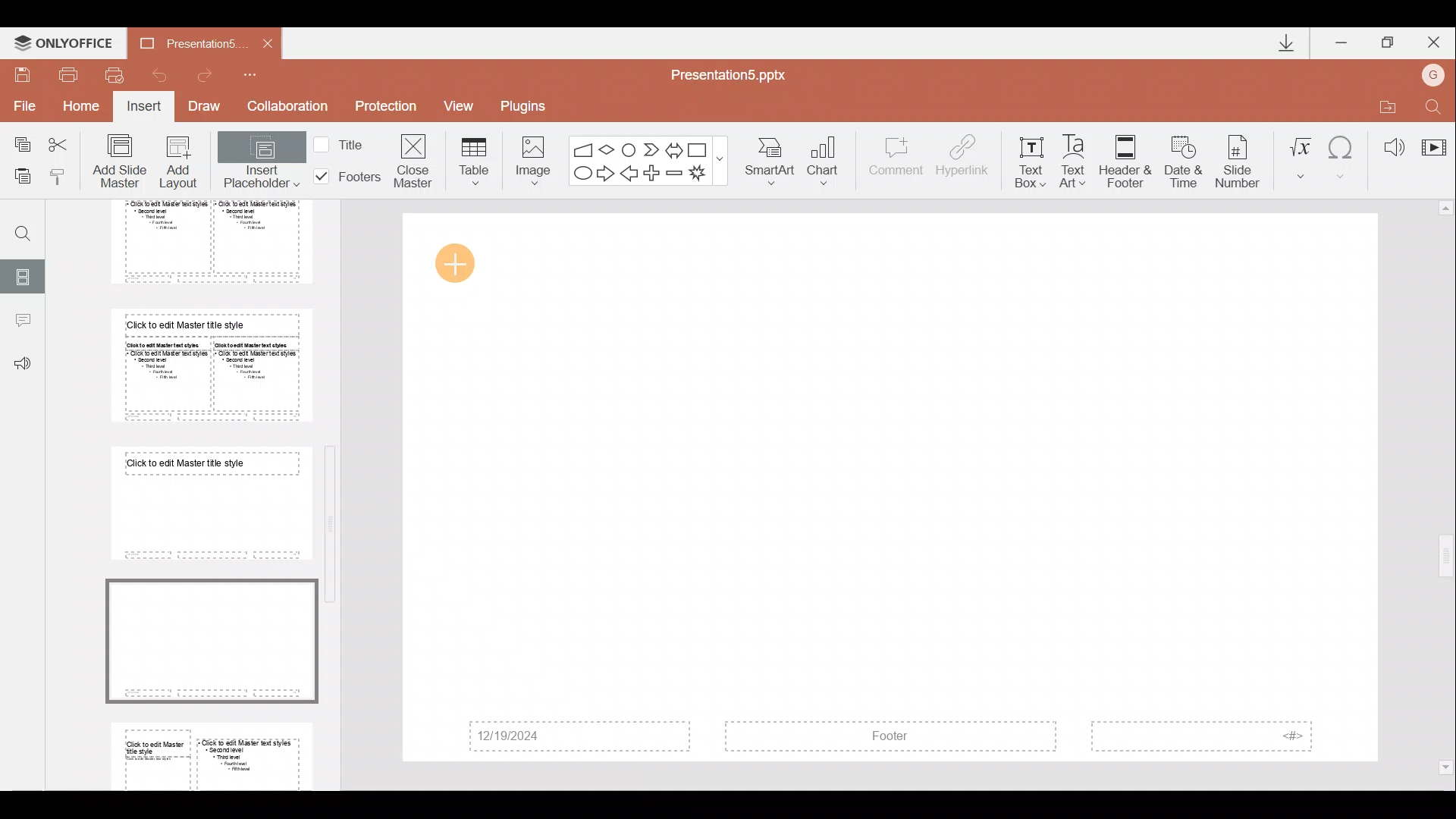 Image resolution: width=1456 pixels, height=819 pixels. What do you see at coordinates (260, 74) in the screenshot?
I see `Customize quick access toolbar` at bounding box center [260, 74].